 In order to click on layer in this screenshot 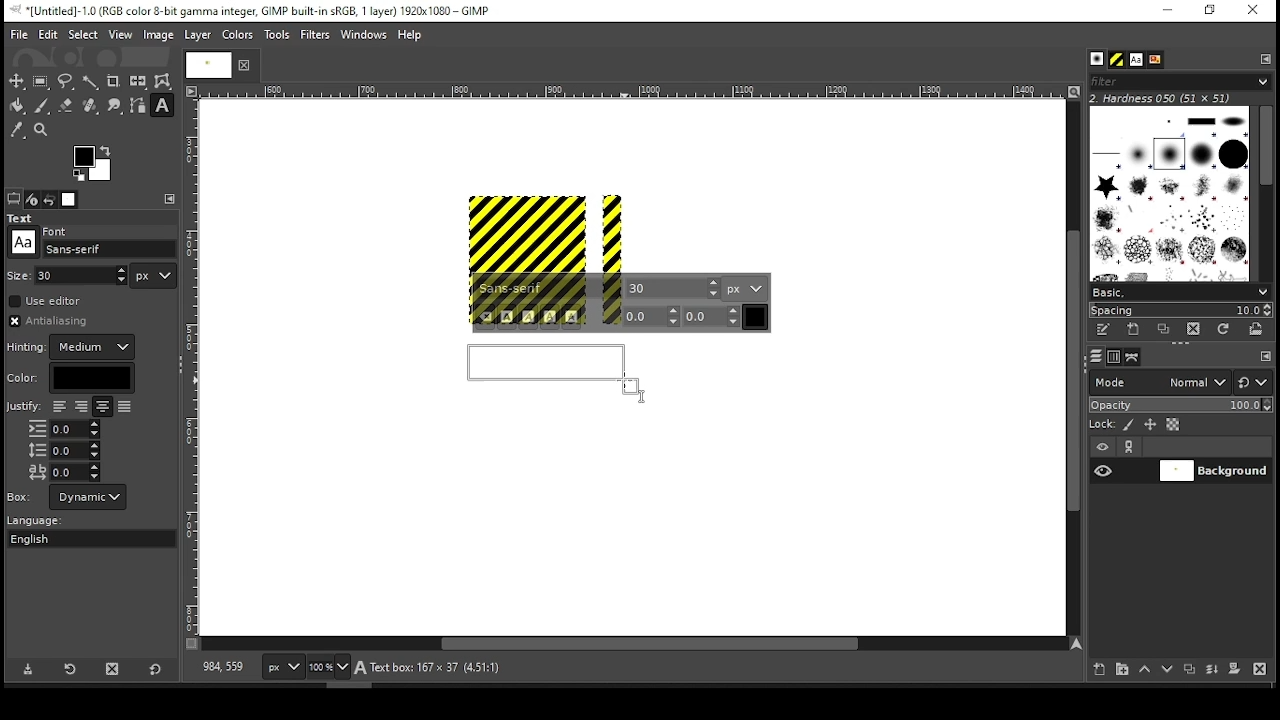, I will do `click(196, 35)`.